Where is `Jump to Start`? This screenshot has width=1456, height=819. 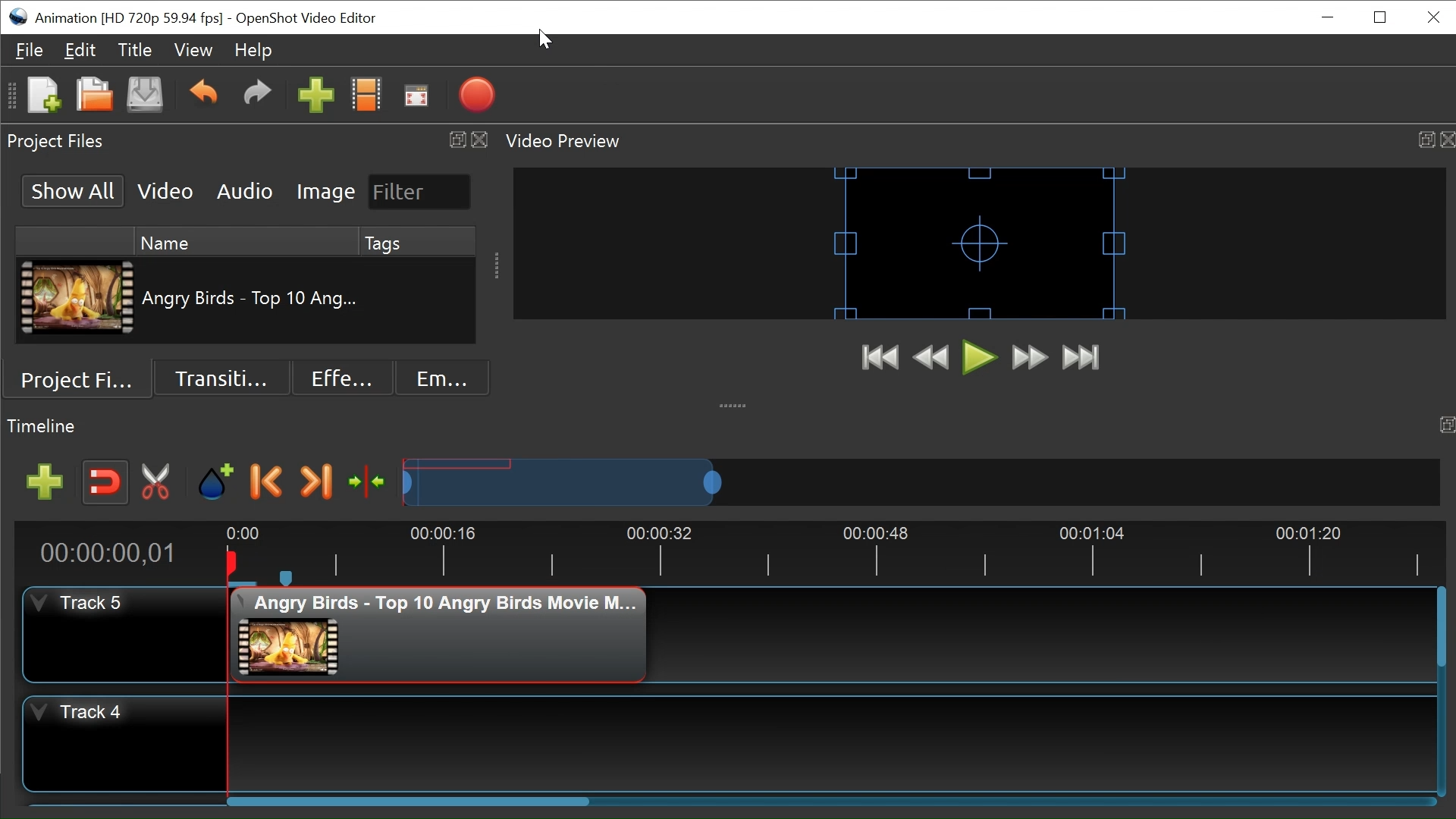
Jump to Start is located at coordinates (883, 359).